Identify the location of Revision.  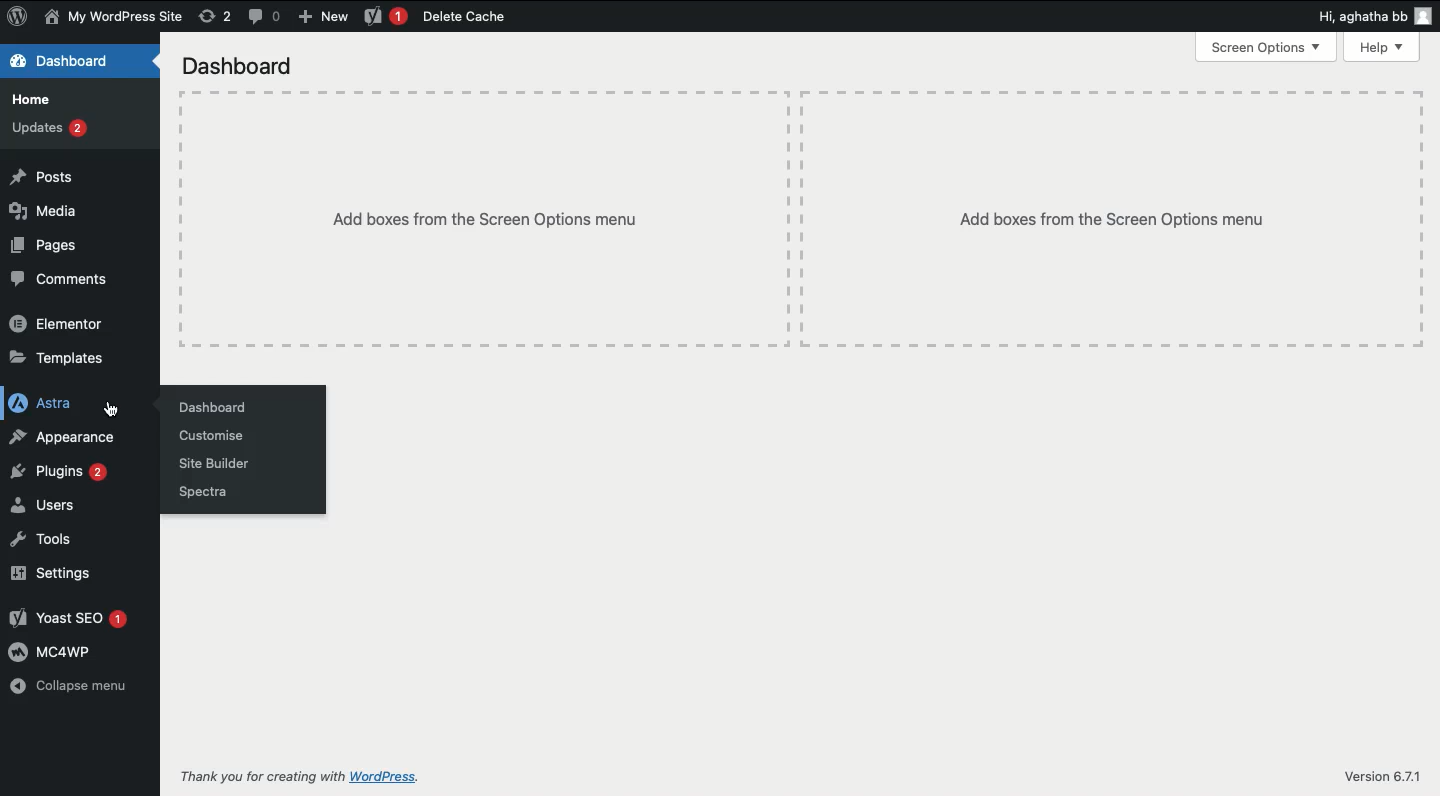
(215, 17).